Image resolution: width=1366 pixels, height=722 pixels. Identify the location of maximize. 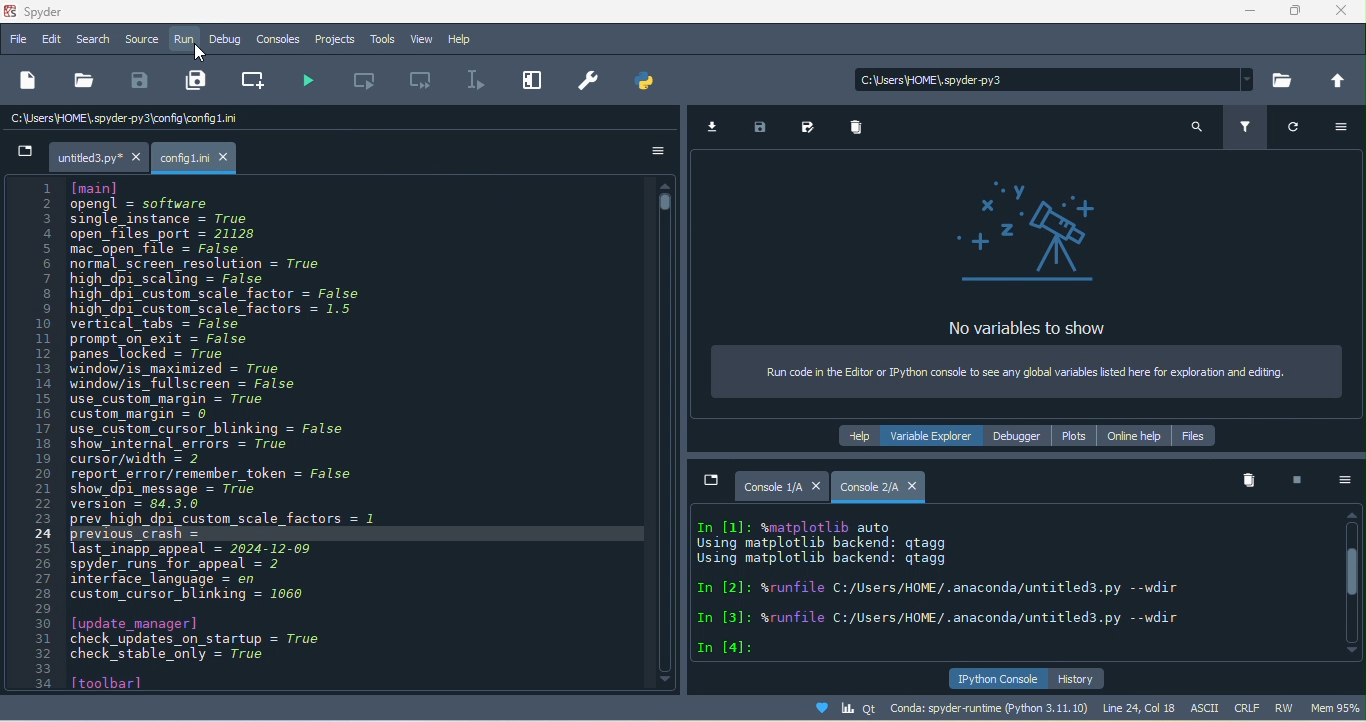
(1294, 13).